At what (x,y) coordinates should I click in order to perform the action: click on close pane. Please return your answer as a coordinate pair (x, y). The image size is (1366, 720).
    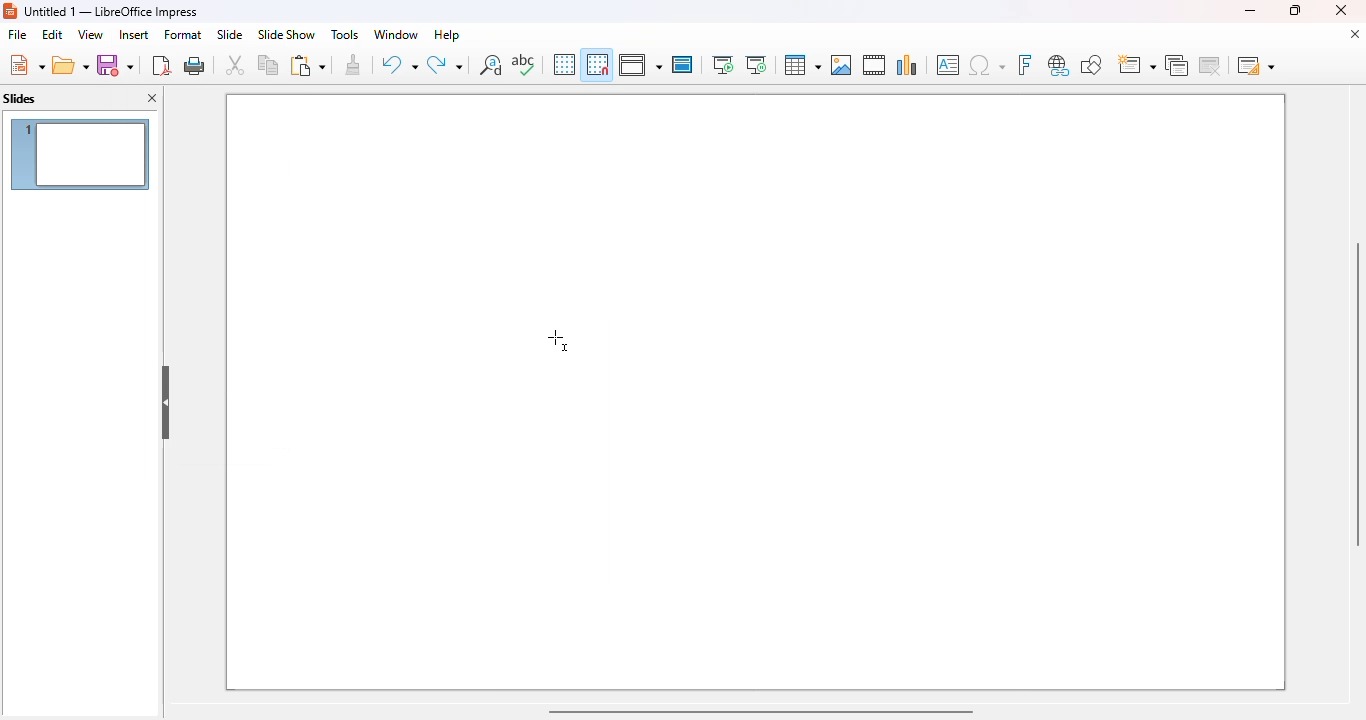
    Looking at the image, I should click on (154, 99).